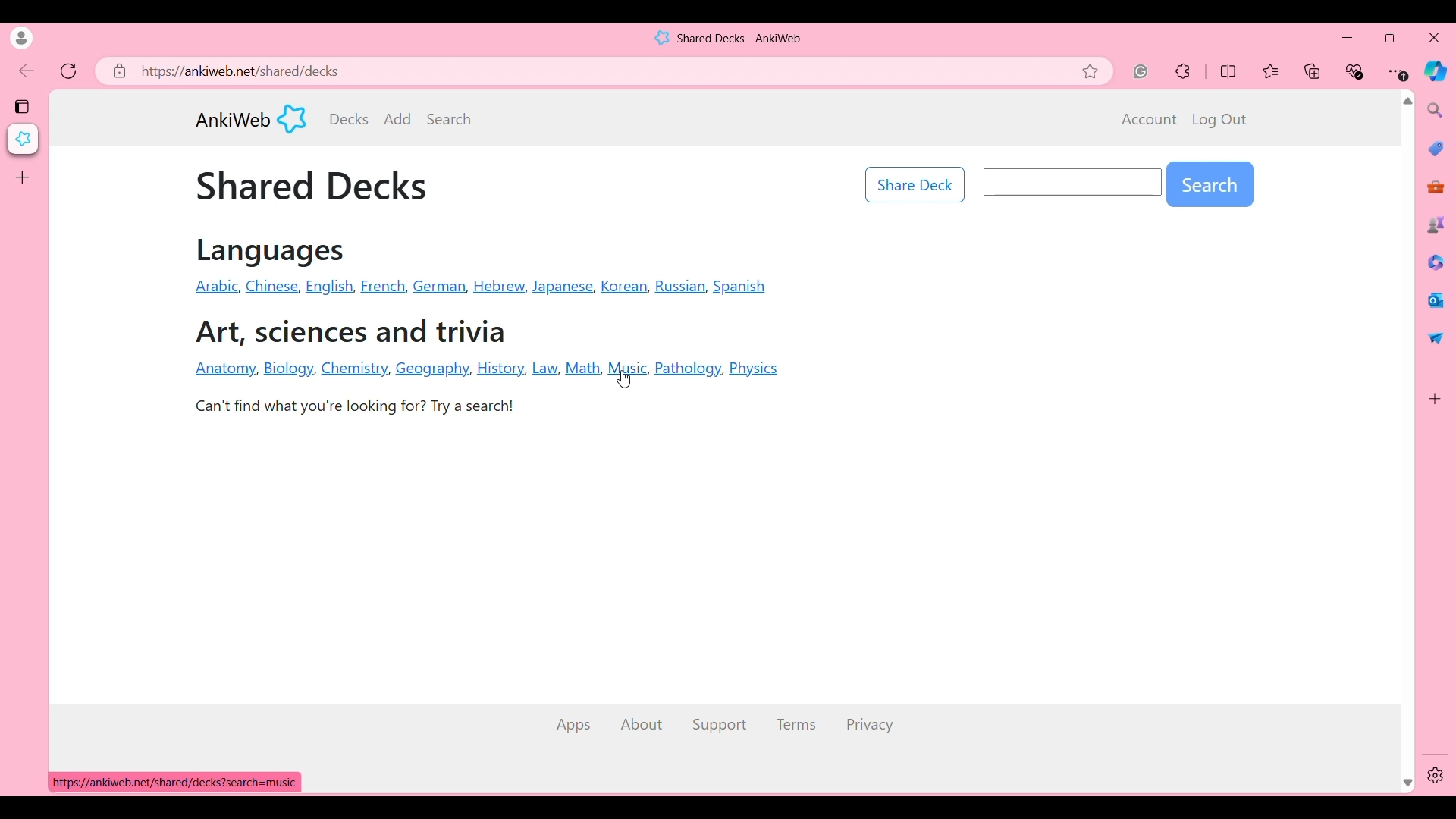  What do you see at coordinates (1391, 37) in the screenshot?
I see `Show browser in a smaller tab` at bounding box center [1391, 37].